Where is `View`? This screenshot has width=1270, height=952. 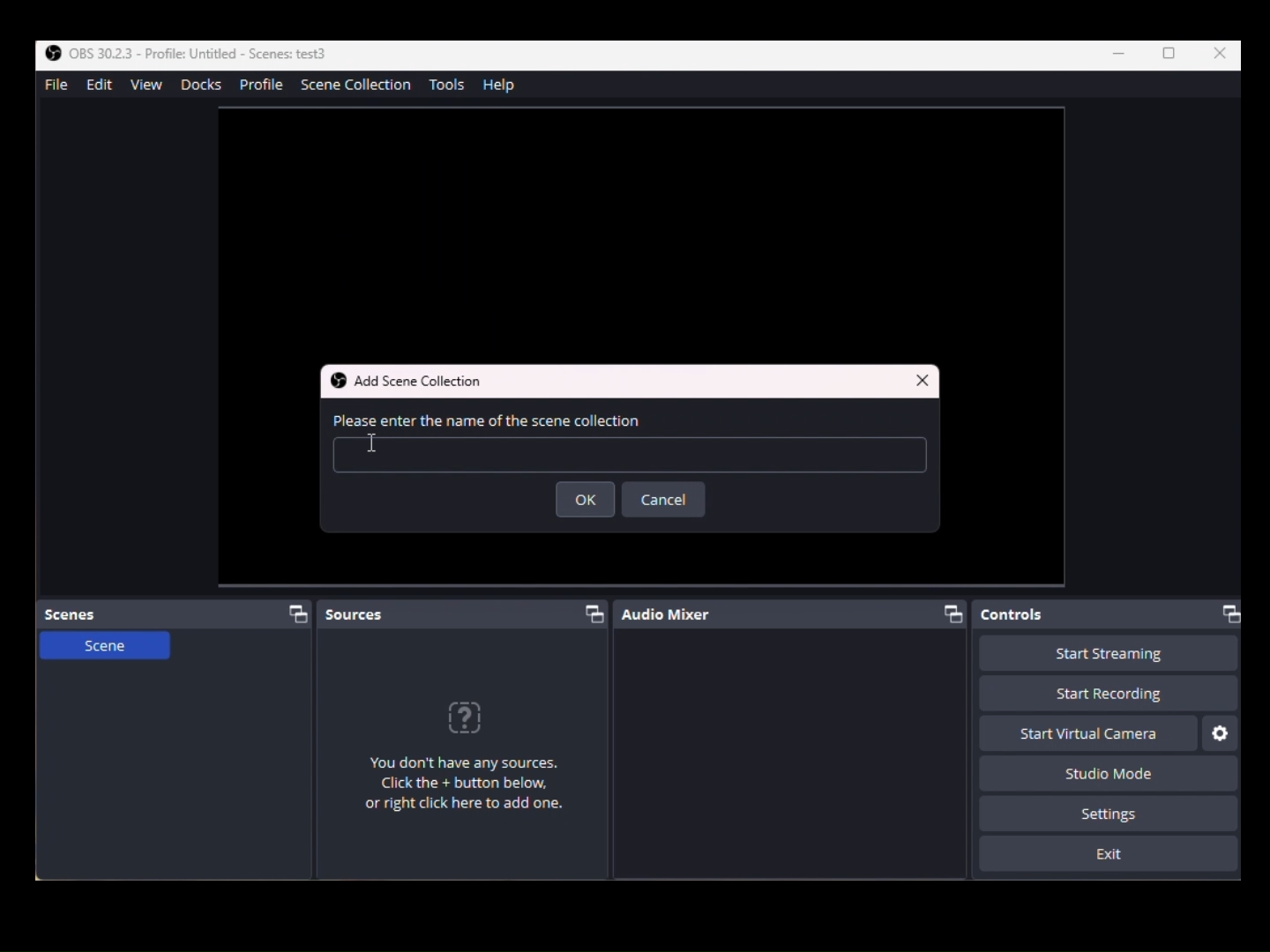 View is located at coordinates (150, 86).